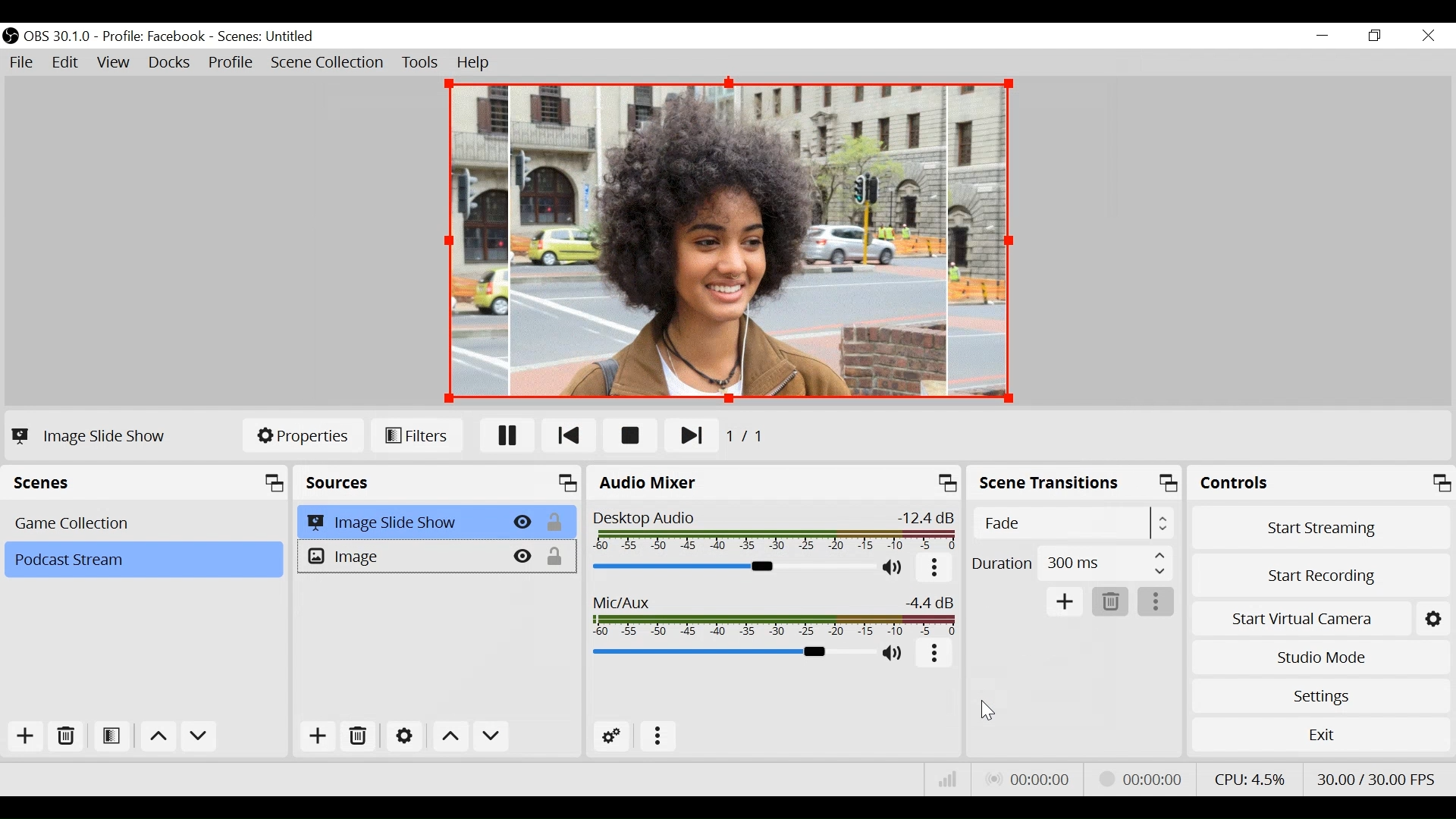 This screenshot has height=819, width=1456. What do you see at coordinates (88, 436) in the screenshot?
I see `Image Slide Show` at bounding box center [88, 436].